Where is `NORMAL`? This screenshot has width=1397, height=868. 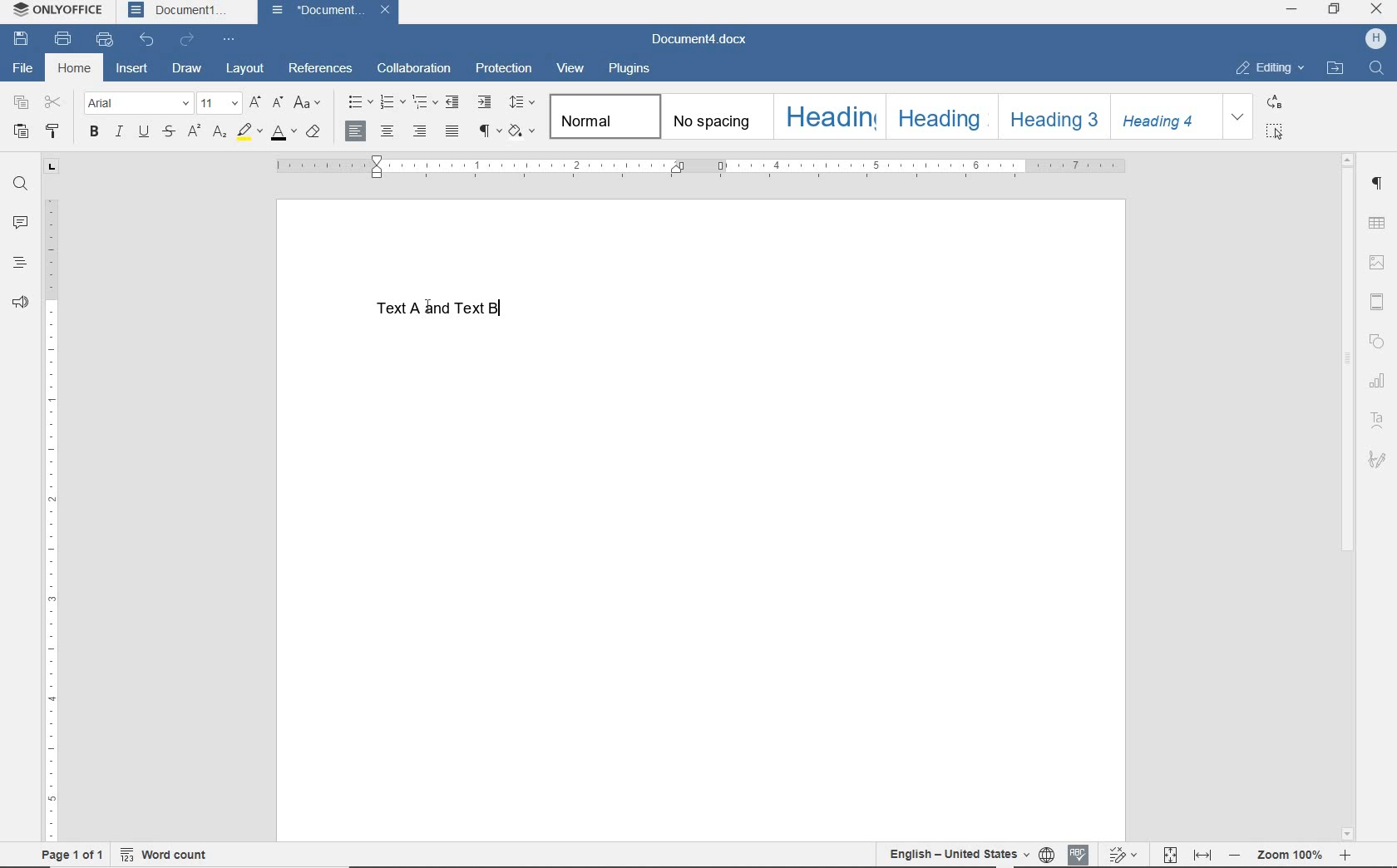
NORMAL is located at coordinates (603, 116).